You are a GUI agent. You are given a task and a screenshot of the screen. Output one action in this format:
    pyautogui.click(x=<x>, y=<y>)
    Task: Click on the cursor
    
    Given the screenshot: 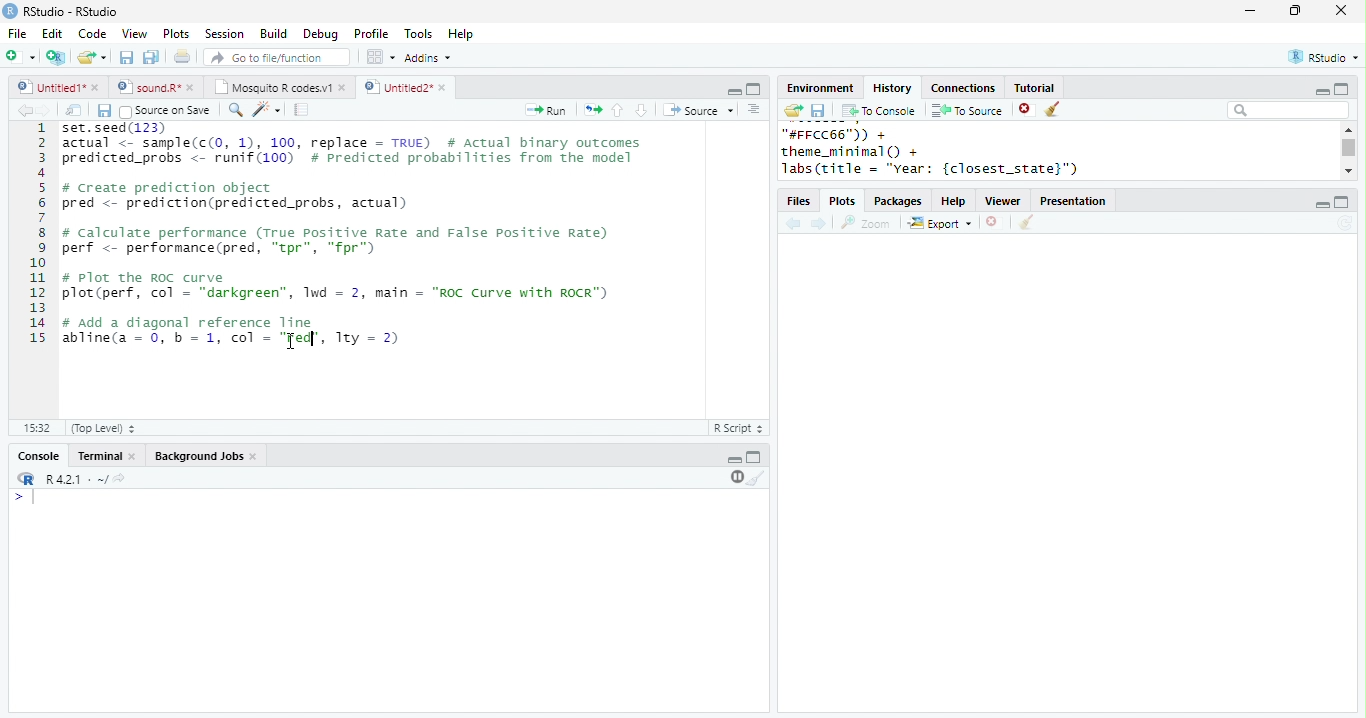 What is the action you would take?
    pyautogui.click(x=291, y=343)
    